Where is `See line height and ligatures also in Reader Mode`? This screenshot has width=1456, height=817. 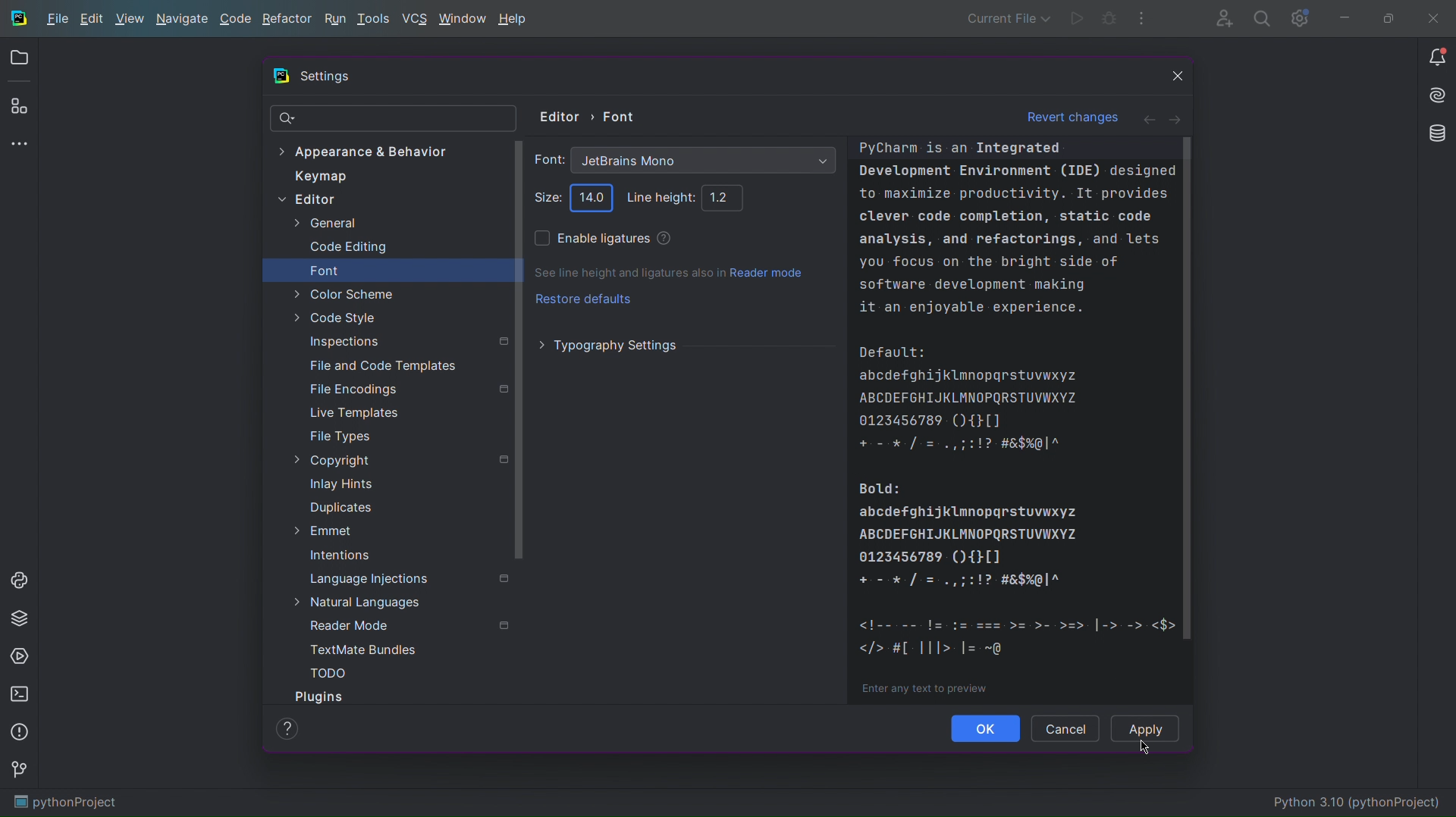 See line height and ligatures also in Reader Mode is located at coordinates (670, 274).